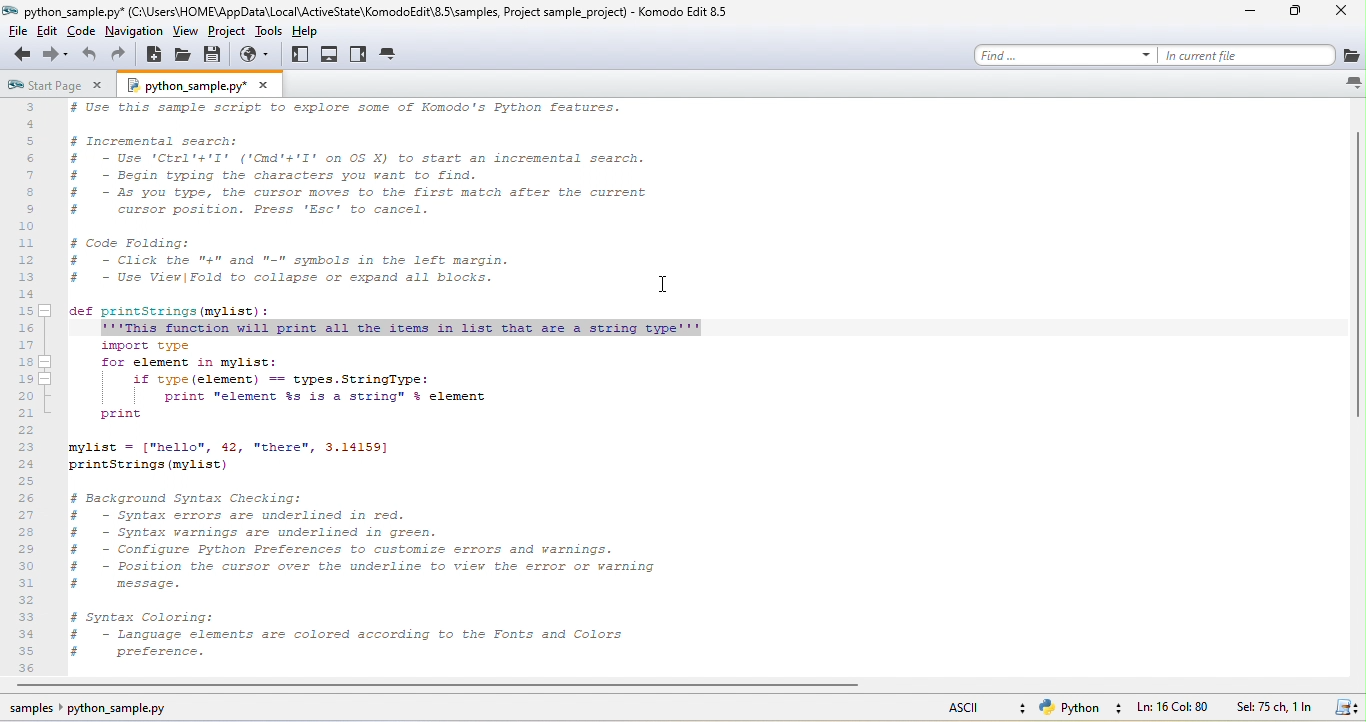  What do you see at coordinates (1245, 54) in the screenshot?
I see `in current file` at bounding box center [1245, 54].